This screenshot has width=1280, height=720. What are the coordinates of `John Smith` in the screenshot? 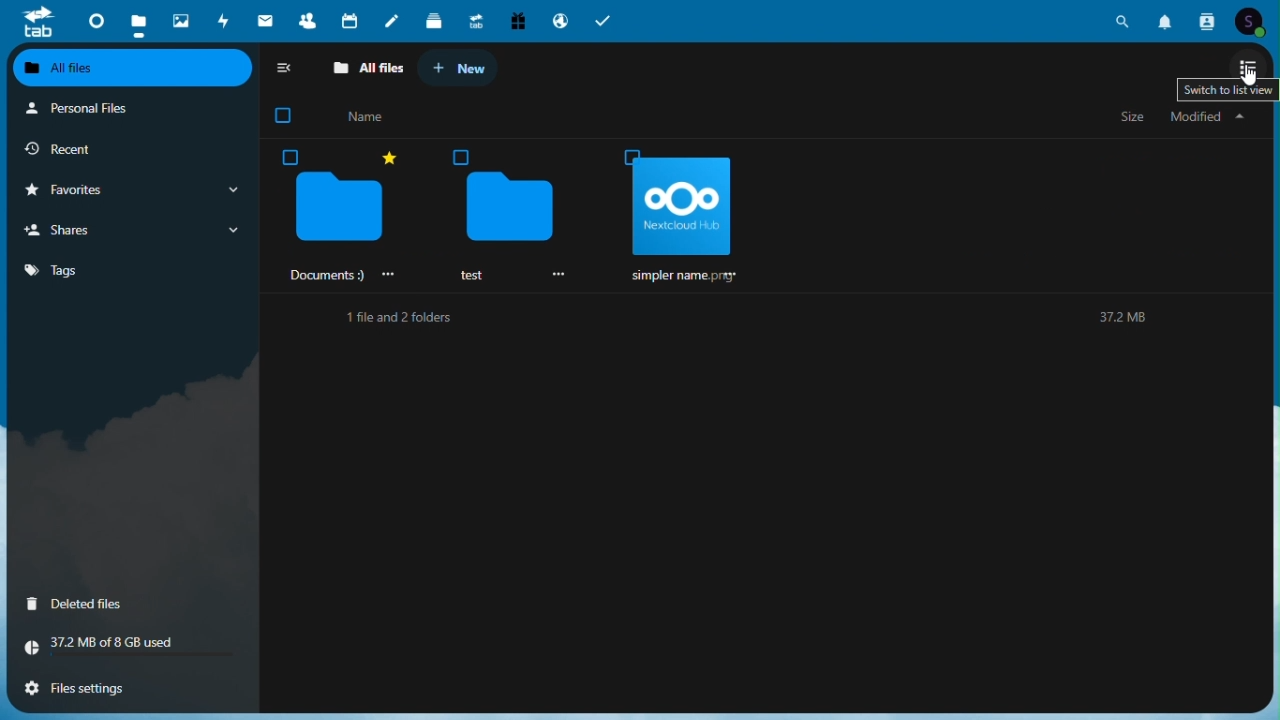 It's located at (370, 116).